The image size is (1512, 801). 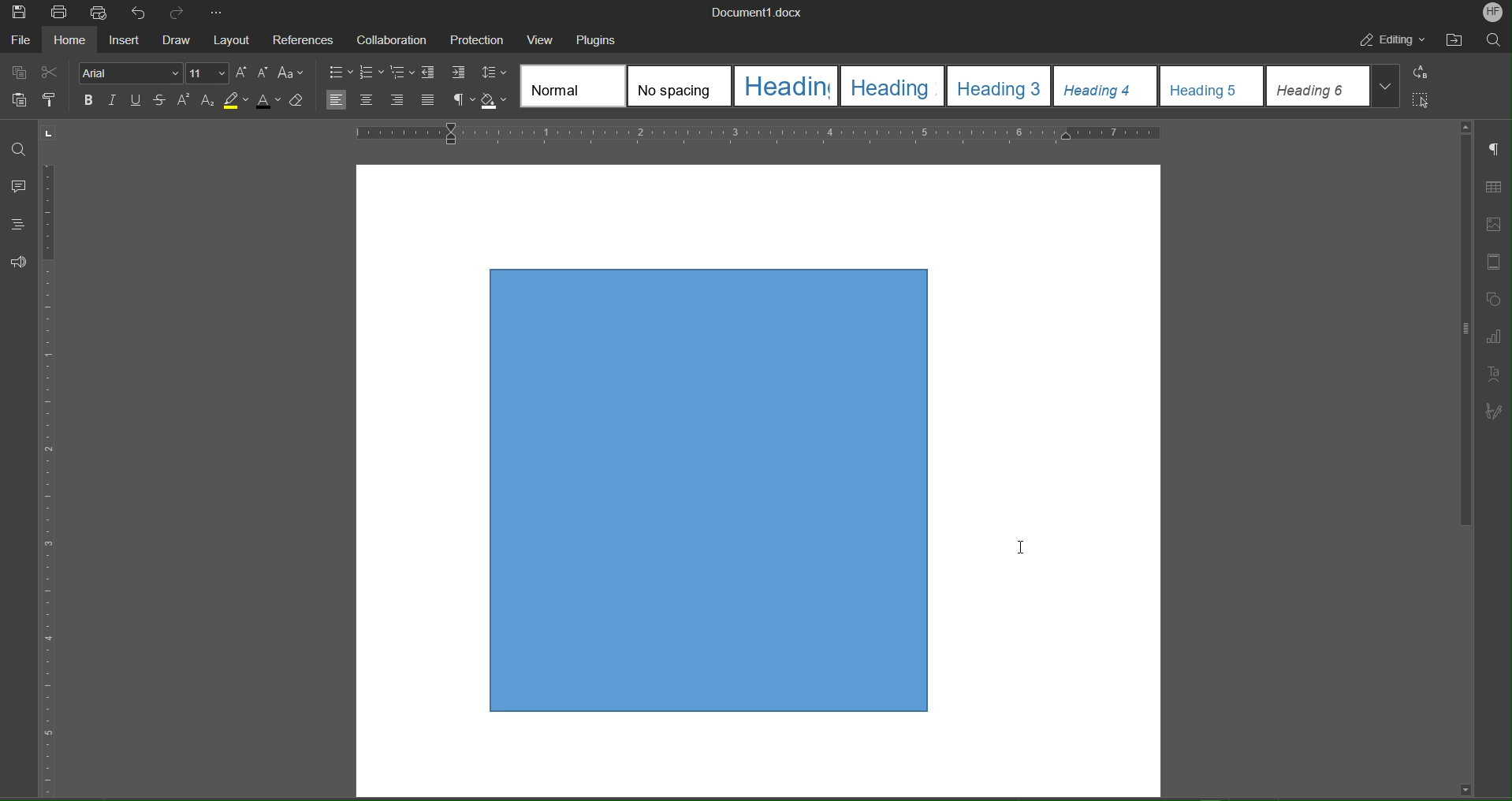 I want to click on Horizontal Ruler, so click(x=759, y=133).